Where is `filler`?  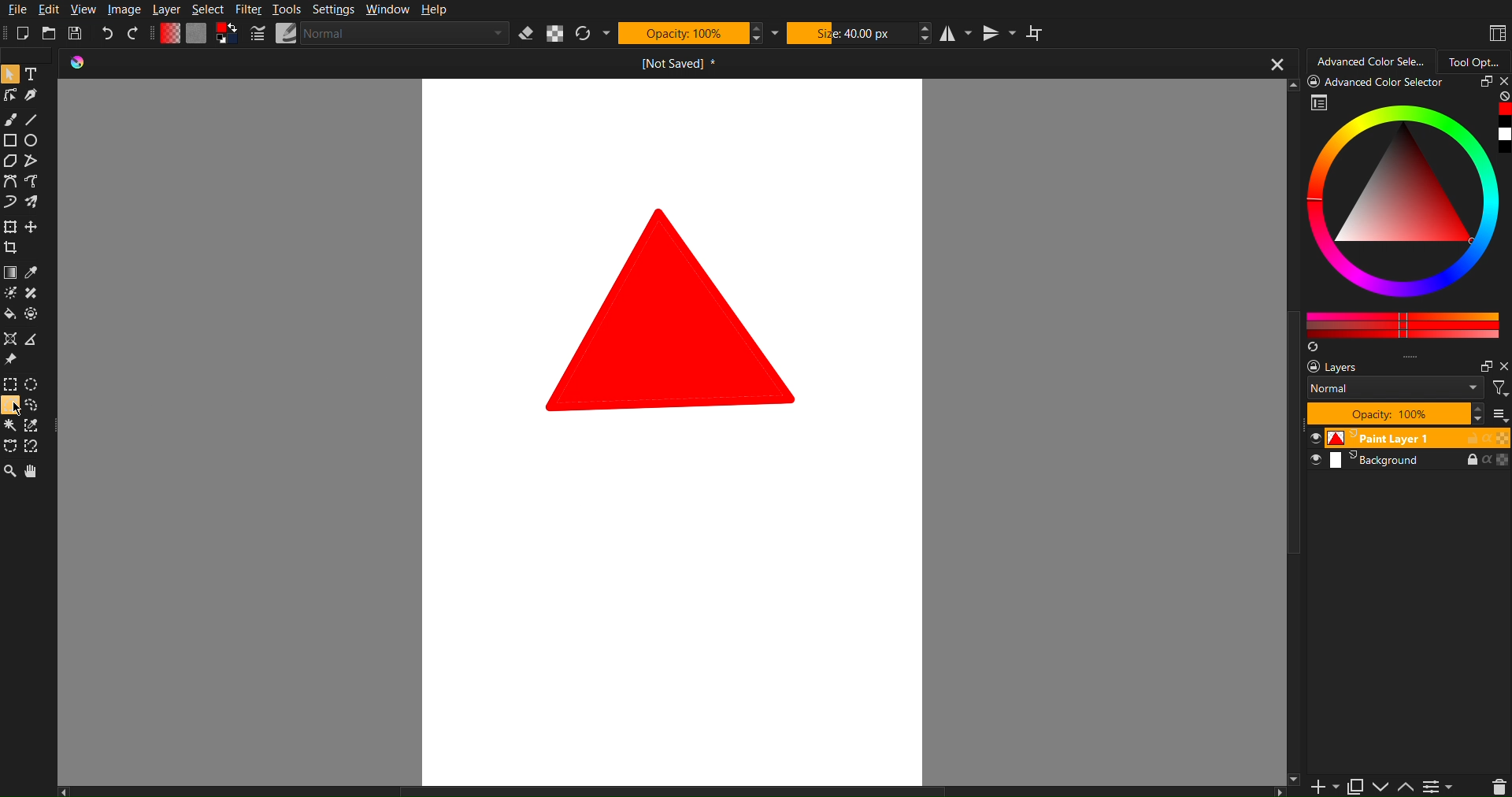 filler is located at coordinates (9, 316).